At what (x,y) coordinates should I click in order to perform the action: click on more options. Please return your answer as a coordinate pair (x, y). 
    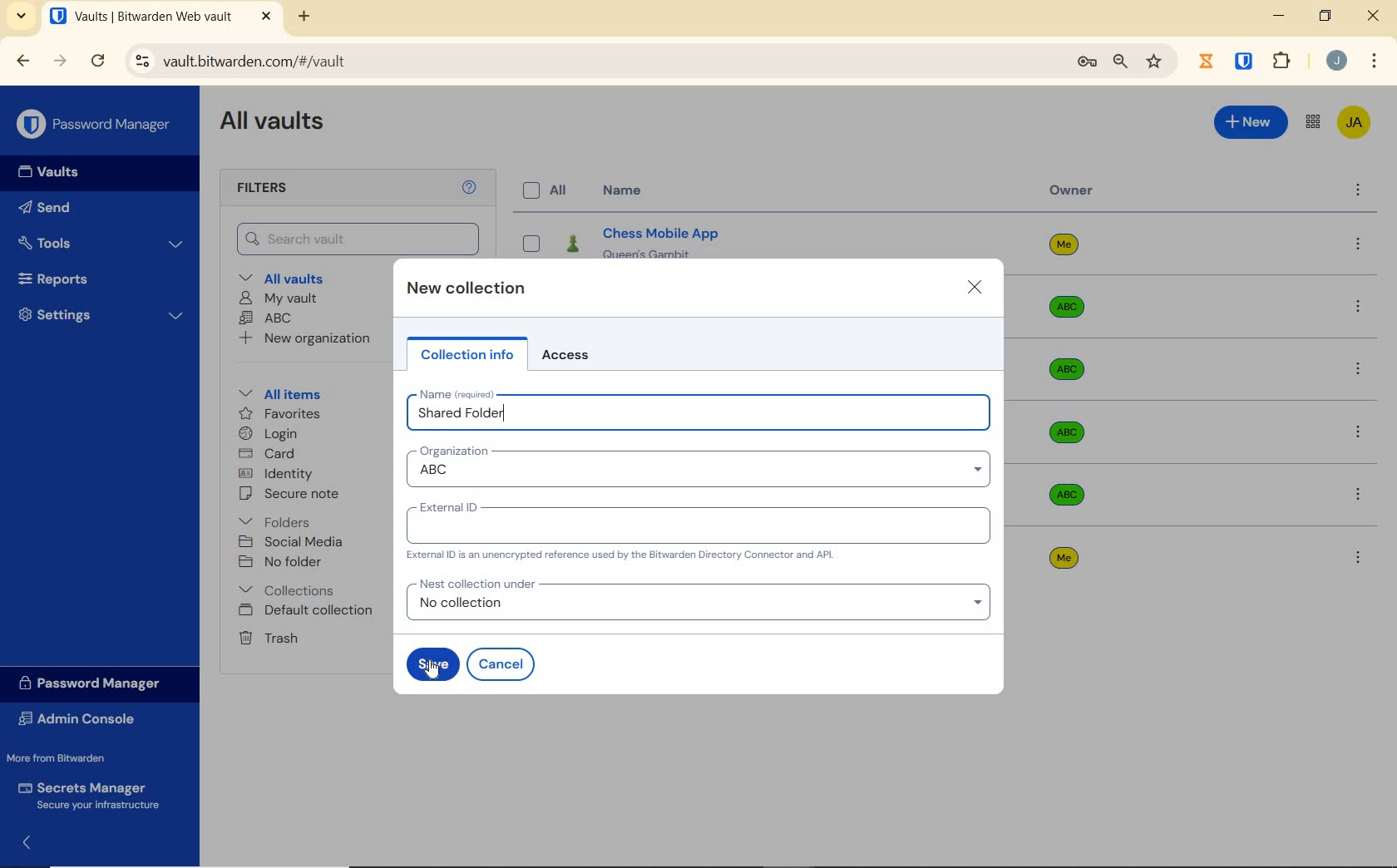
    Looking at the image, I should click on (1360, 374).